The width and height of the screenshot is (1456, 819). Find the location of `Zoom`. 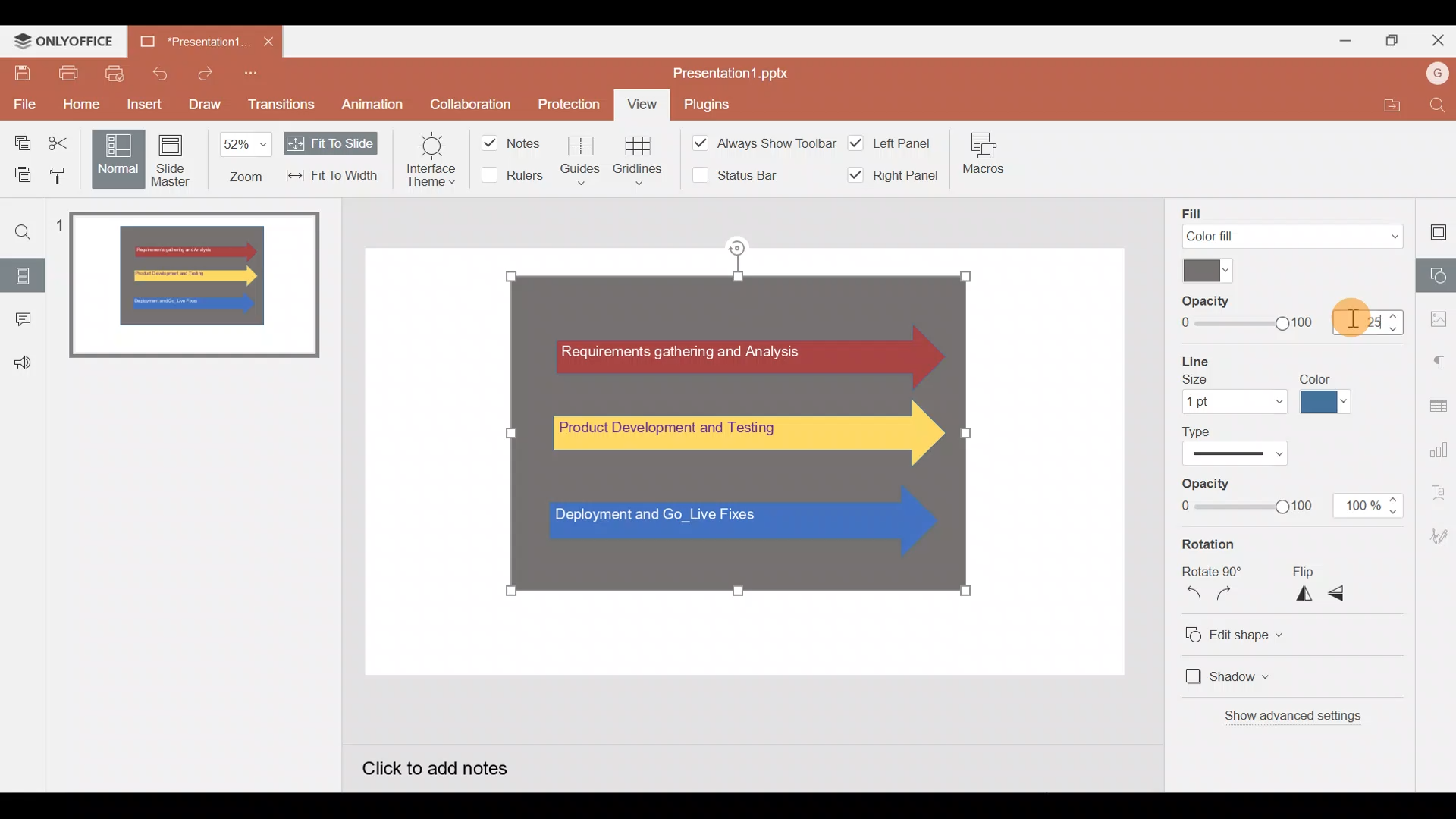

Zoom is located at coordinates (243, 159).